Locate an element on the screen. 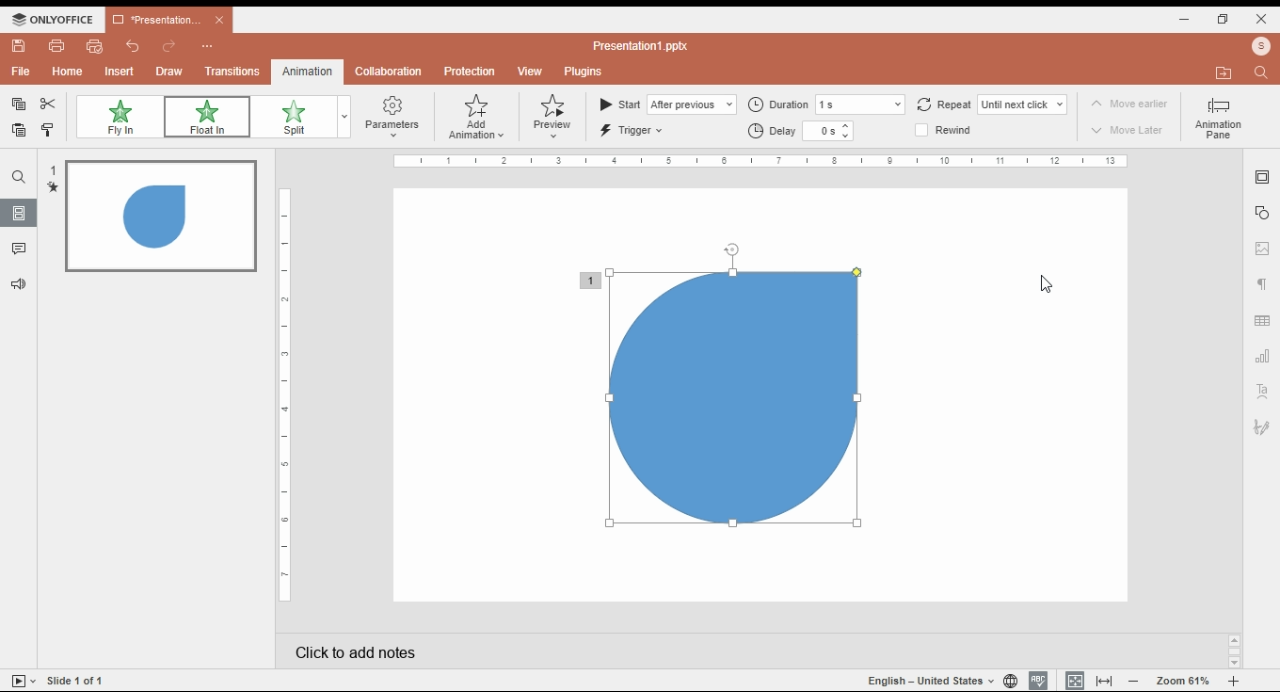 This screenshot has width=1280, height=692. collaboration is located at coordinates (387, 72).